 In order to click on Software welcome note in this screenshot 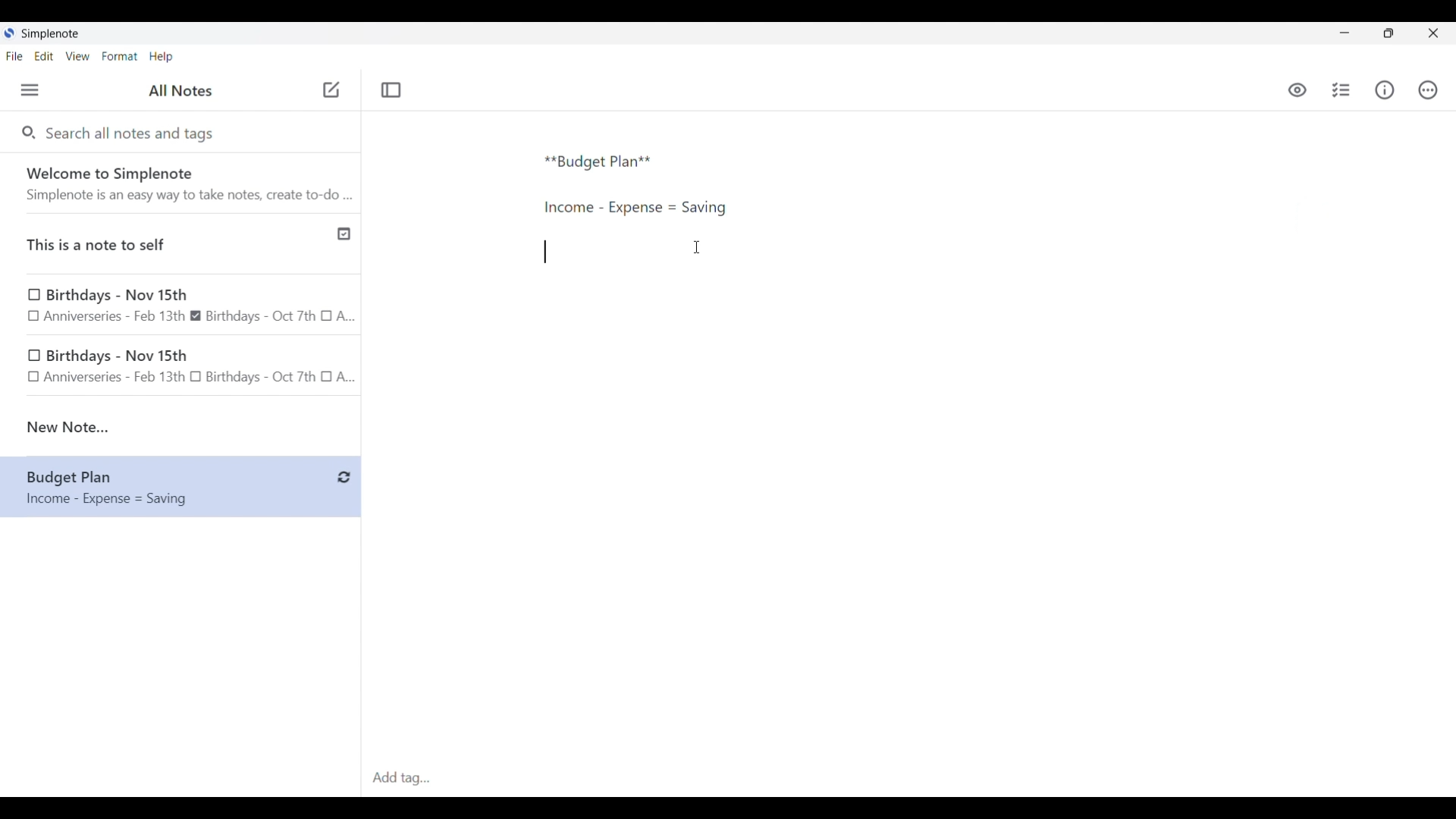, I will do `click(184, 183)`.